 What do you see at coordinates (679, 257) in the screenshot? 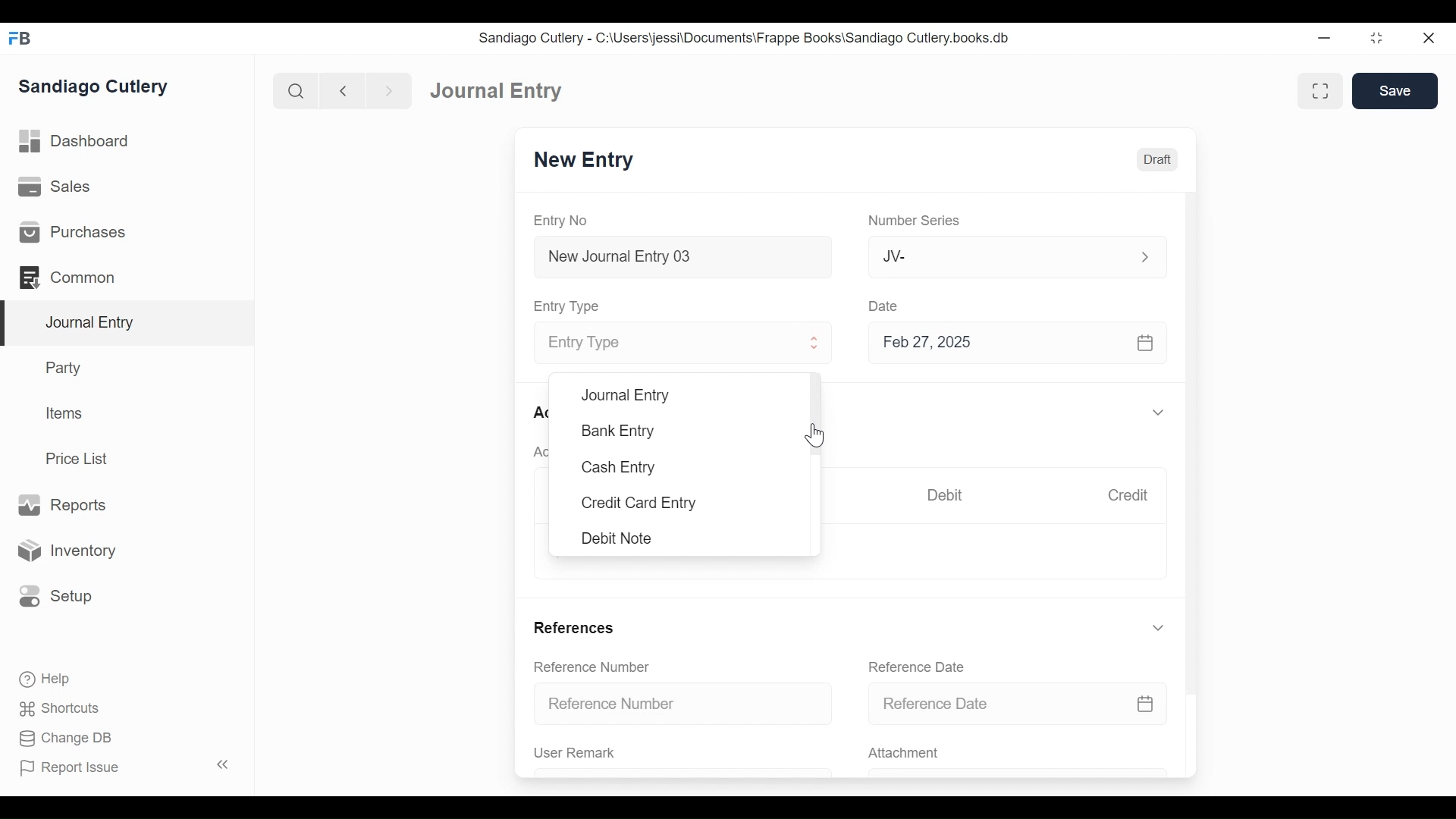
I see `New Journal Entry 03` at bounding box center [679, 257].